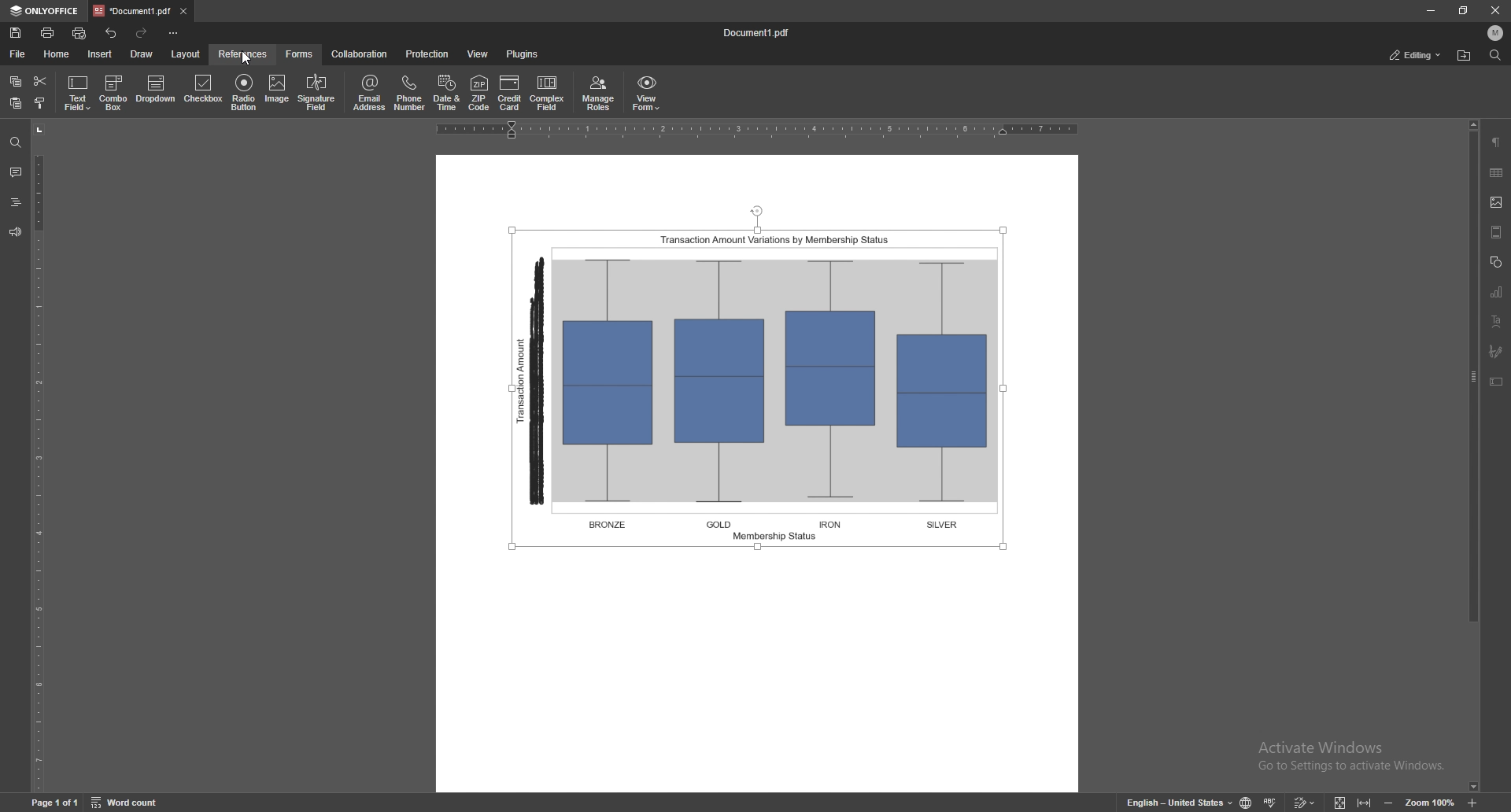  I want to click on signature, so click(1498, 352).